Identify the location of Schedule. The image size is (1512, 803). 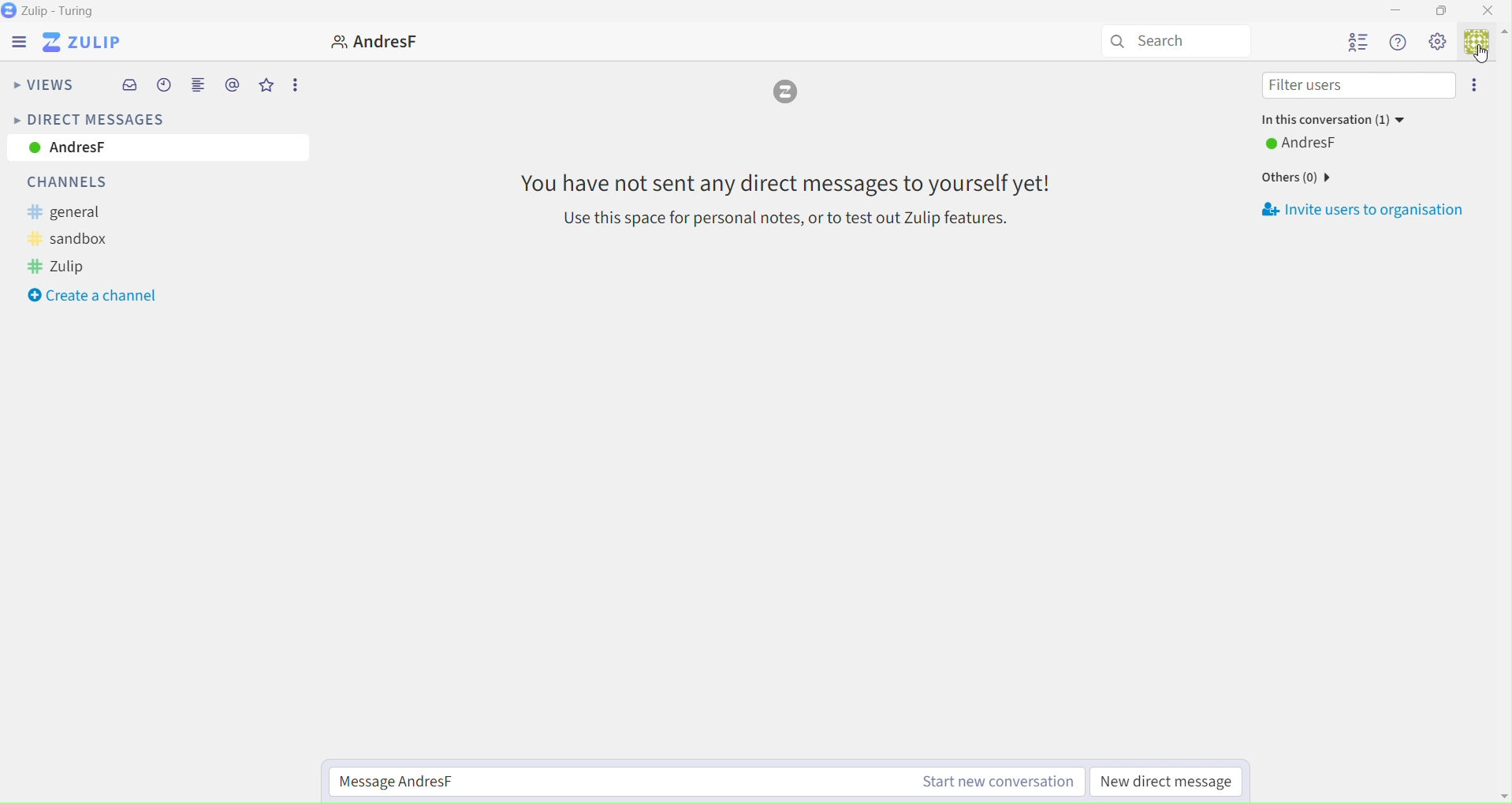
(165, 88).